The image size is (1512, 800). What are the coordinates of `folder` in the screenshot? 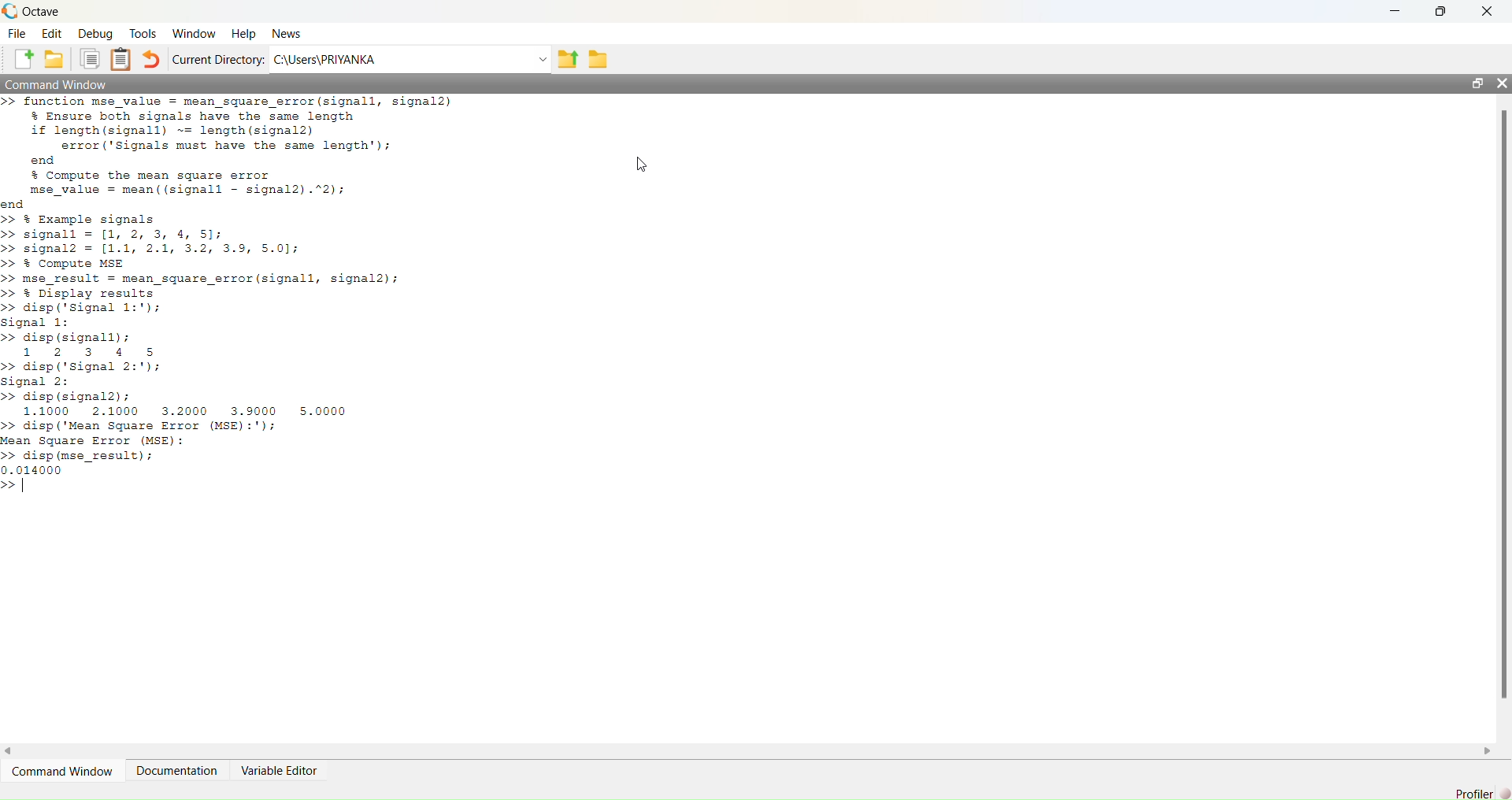 It's located at (598, 59).